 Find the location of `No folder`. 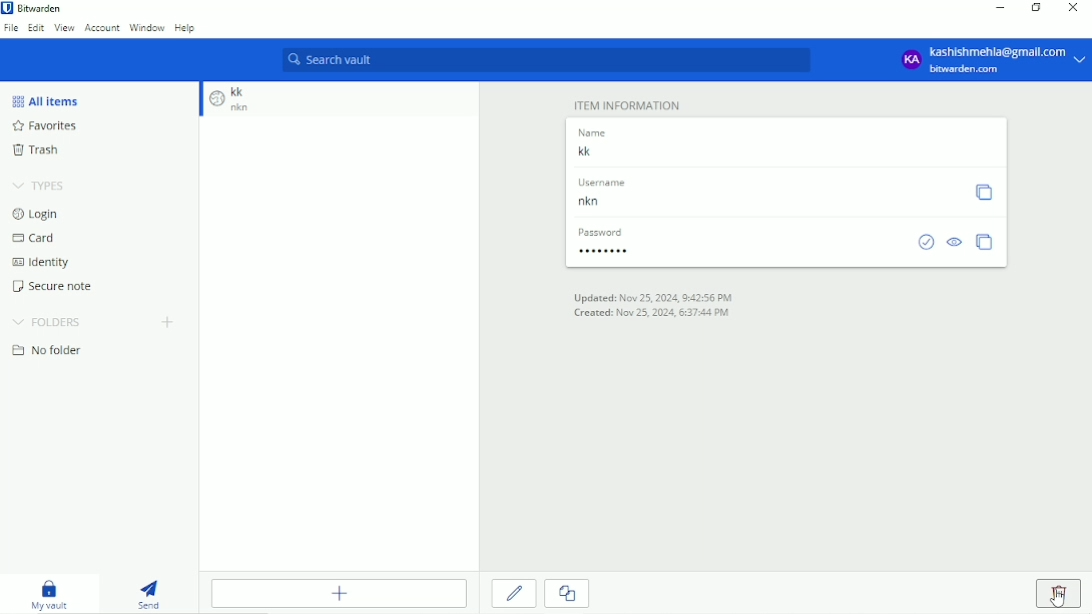

No folder is located at coordinates (48, 350).